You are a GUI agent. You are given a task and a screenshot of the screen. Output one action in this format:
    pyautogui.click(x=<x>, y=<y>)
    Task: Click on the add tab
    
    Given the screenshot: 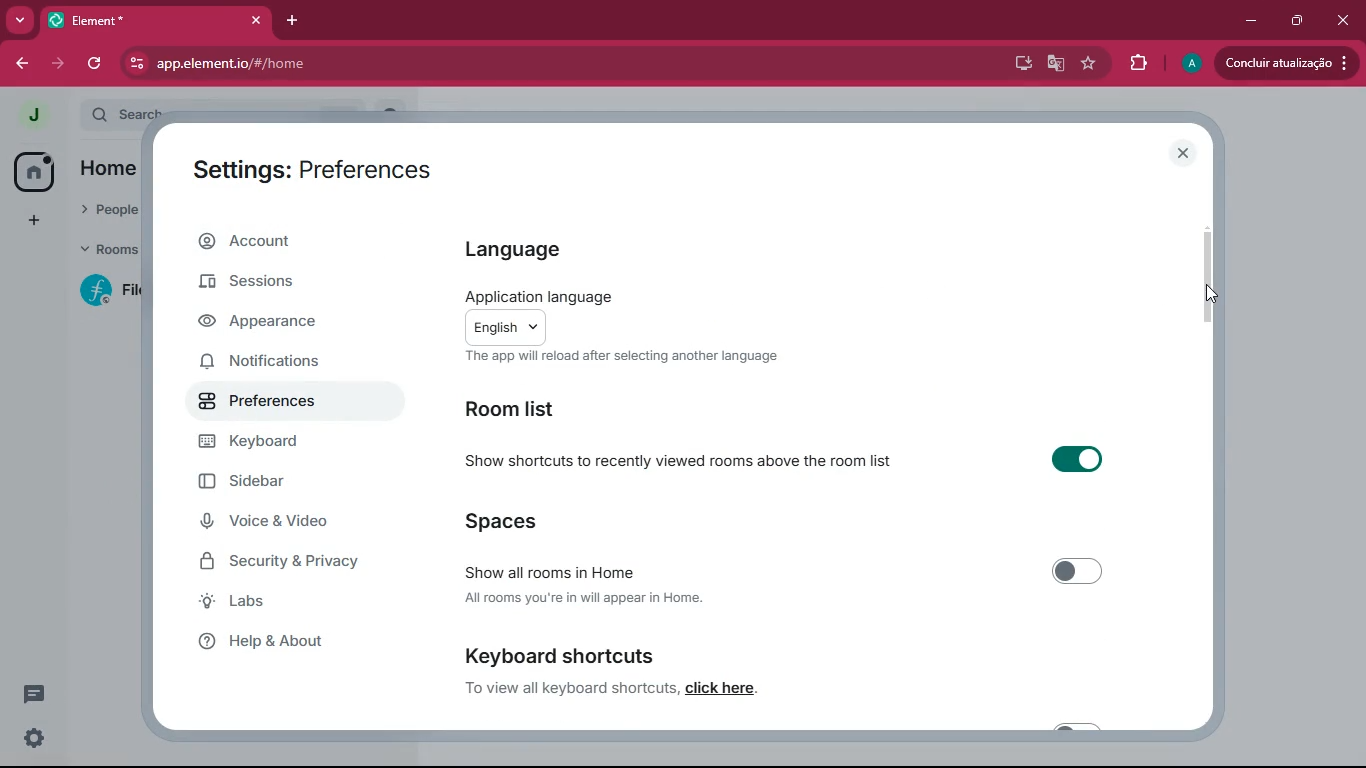 What is the action you would take?
    pyautogui.click(x=299, y=19)
    